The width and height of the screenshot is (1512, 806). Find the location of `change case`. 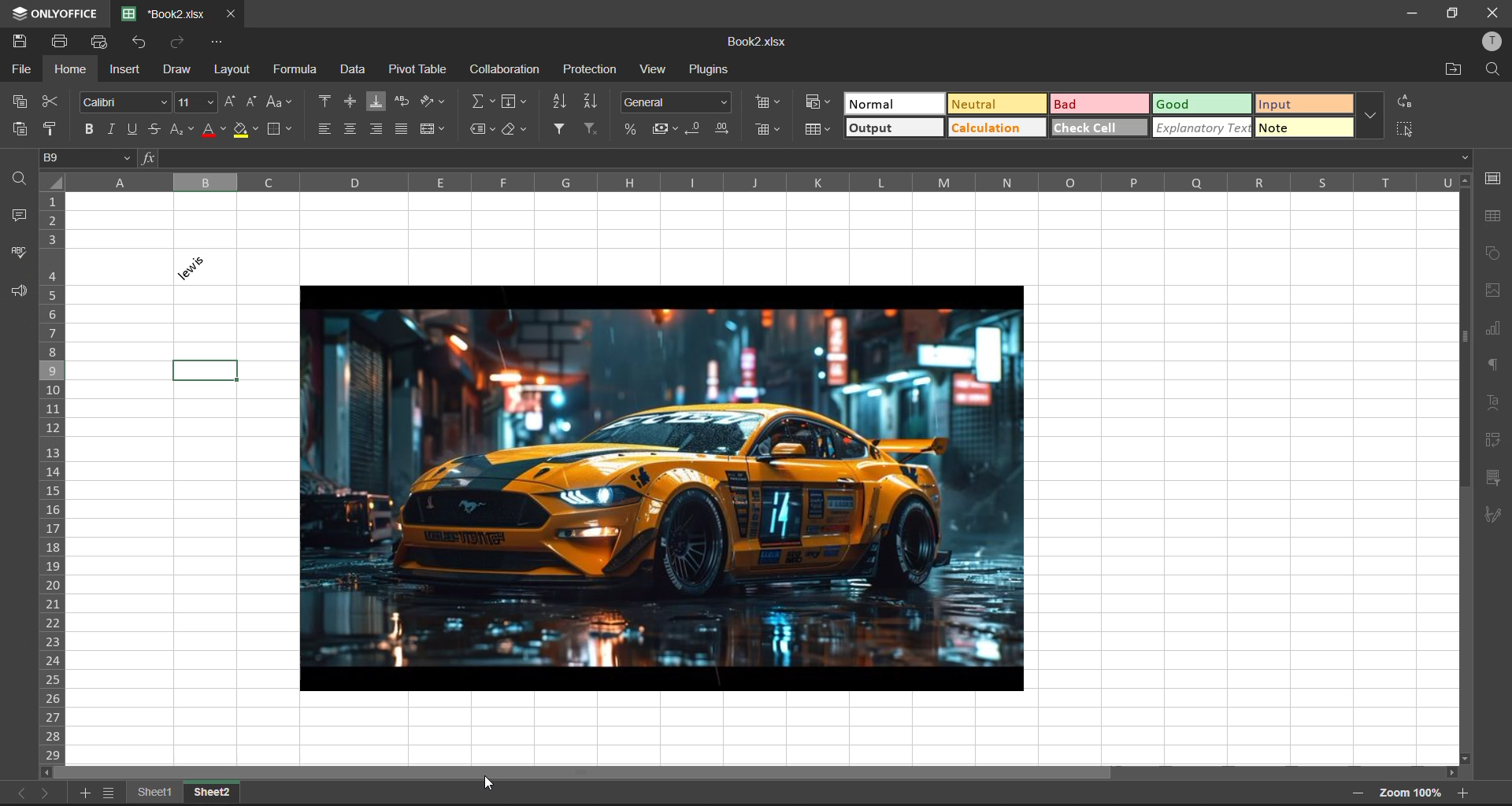

change case is located at coordinates (282, 105).